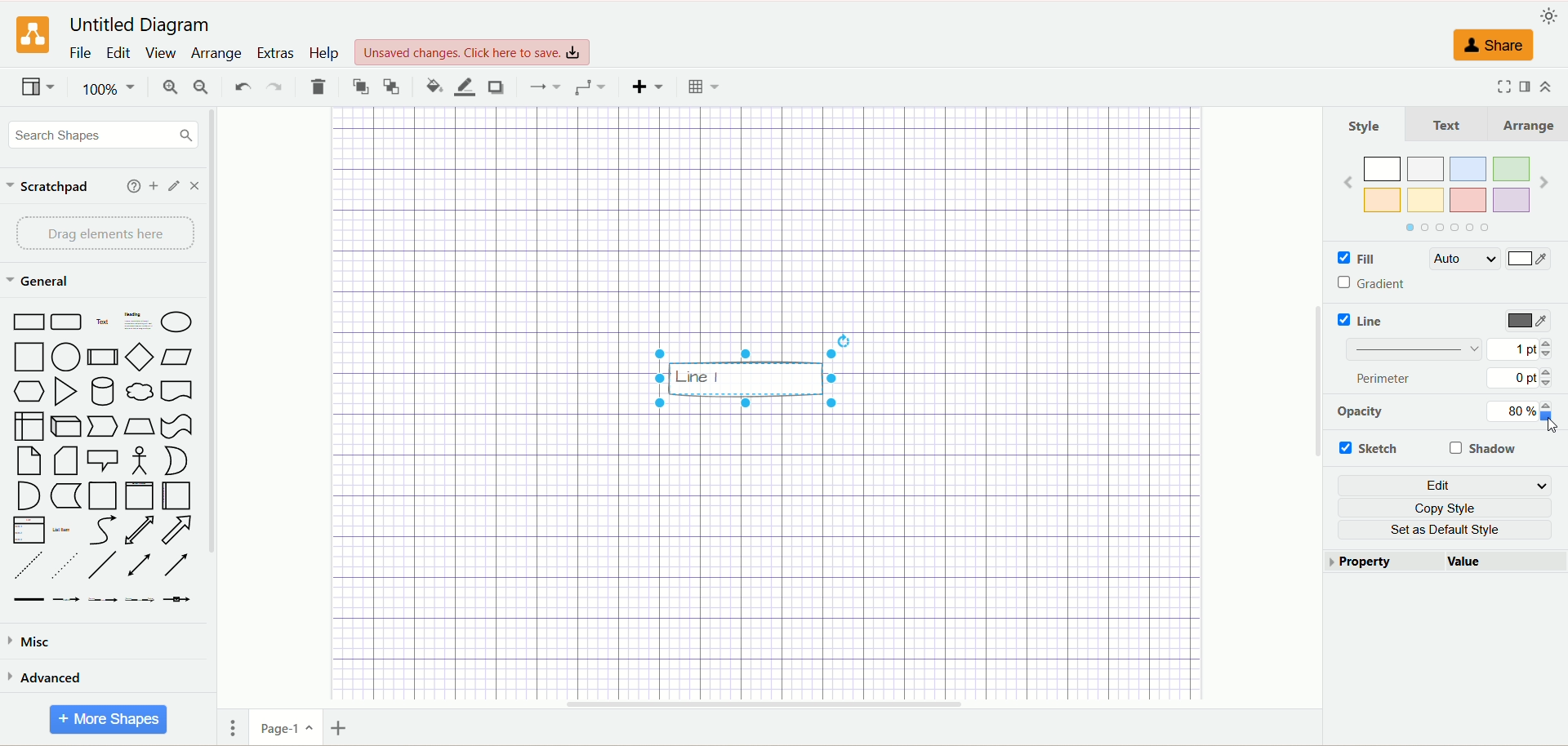  I want to click on Auto, so click(1463, 260).